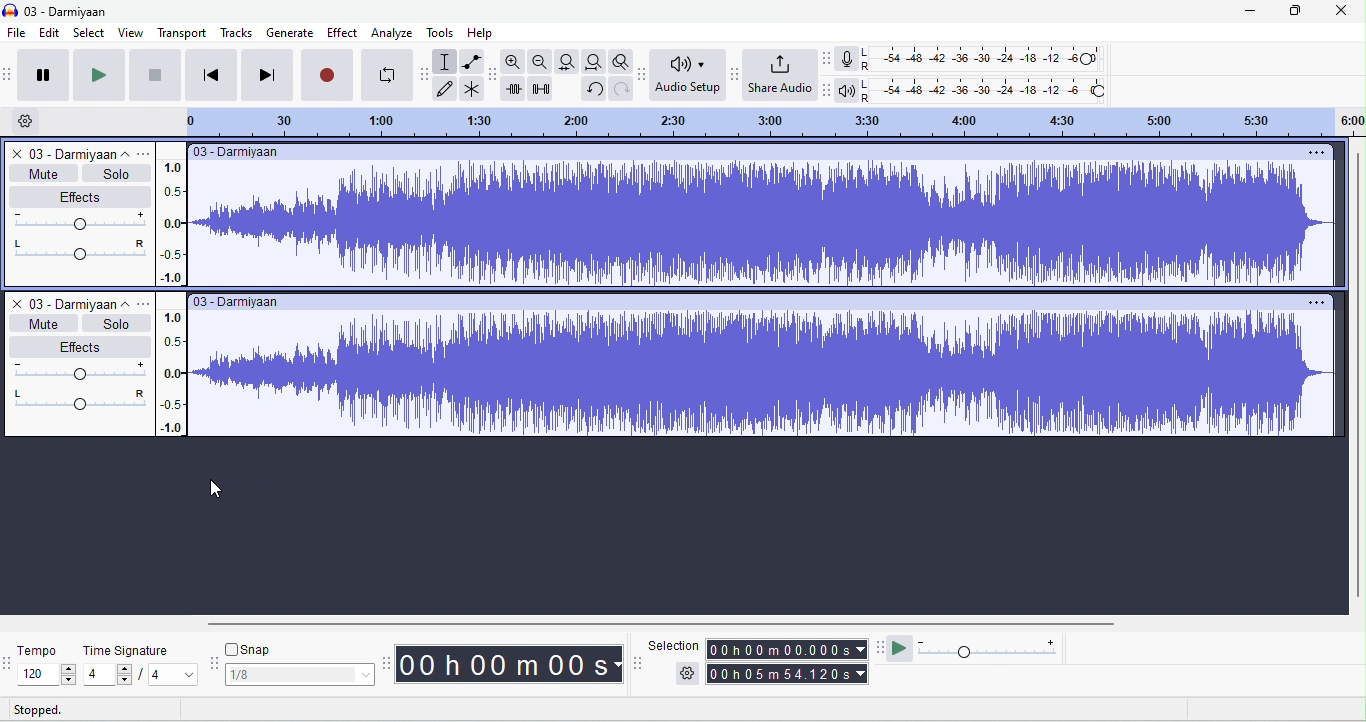 The image size is (1366, 722). I want to click on options, so click(146, 155).